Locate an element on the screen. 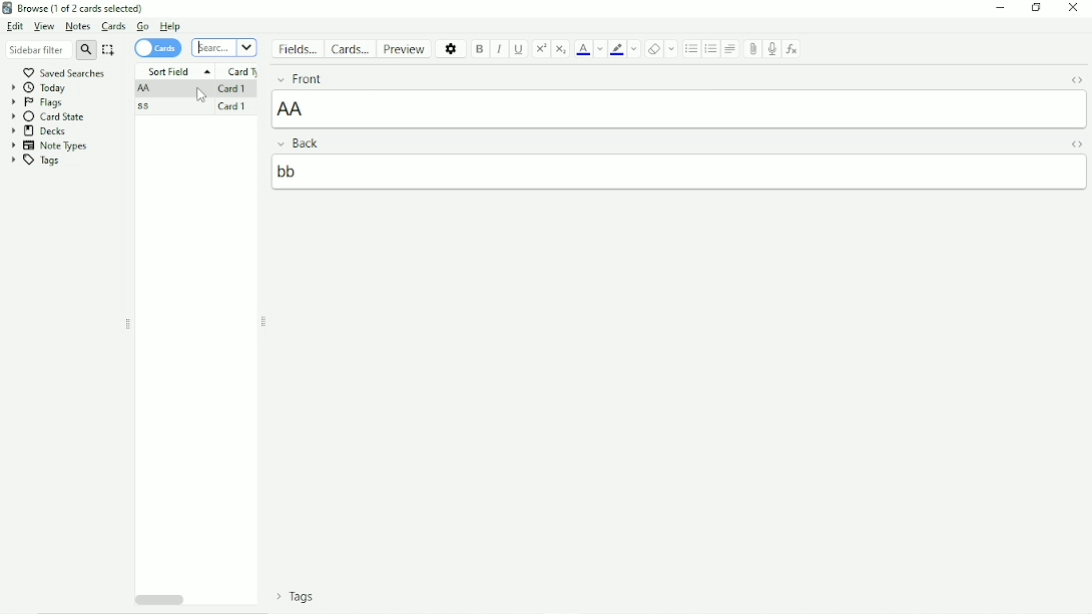 The image size is (1092, 614). Tags is located at coordinates (36, 160).